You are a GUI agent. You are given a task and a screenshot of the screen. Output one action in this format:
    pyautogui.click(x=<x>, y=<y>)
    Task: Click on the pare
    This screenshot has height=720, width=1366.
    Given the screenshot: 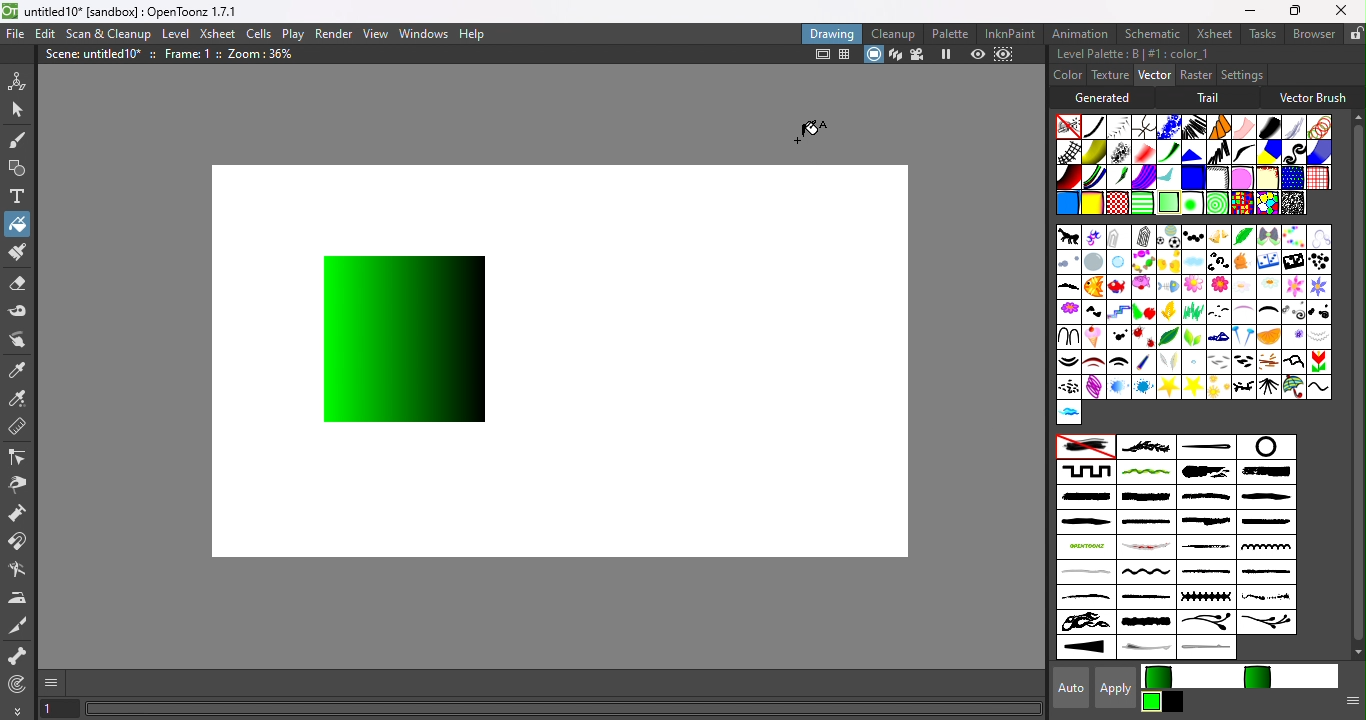 What is the action you would take?
    pyautogui.click(x=1069, y=362)
    